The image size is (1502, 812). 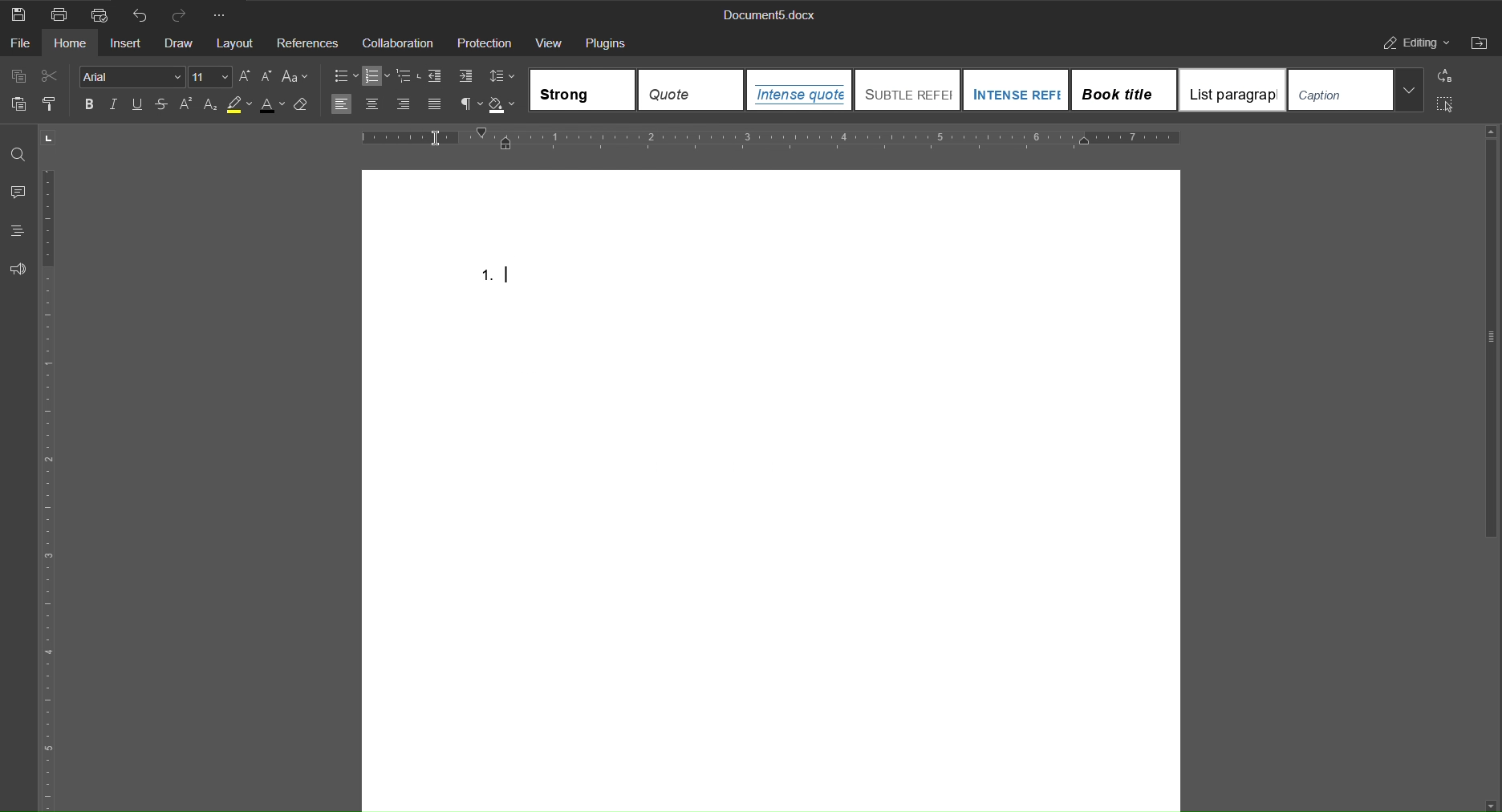 I want to click on Copy, so click(x=17, y=77).